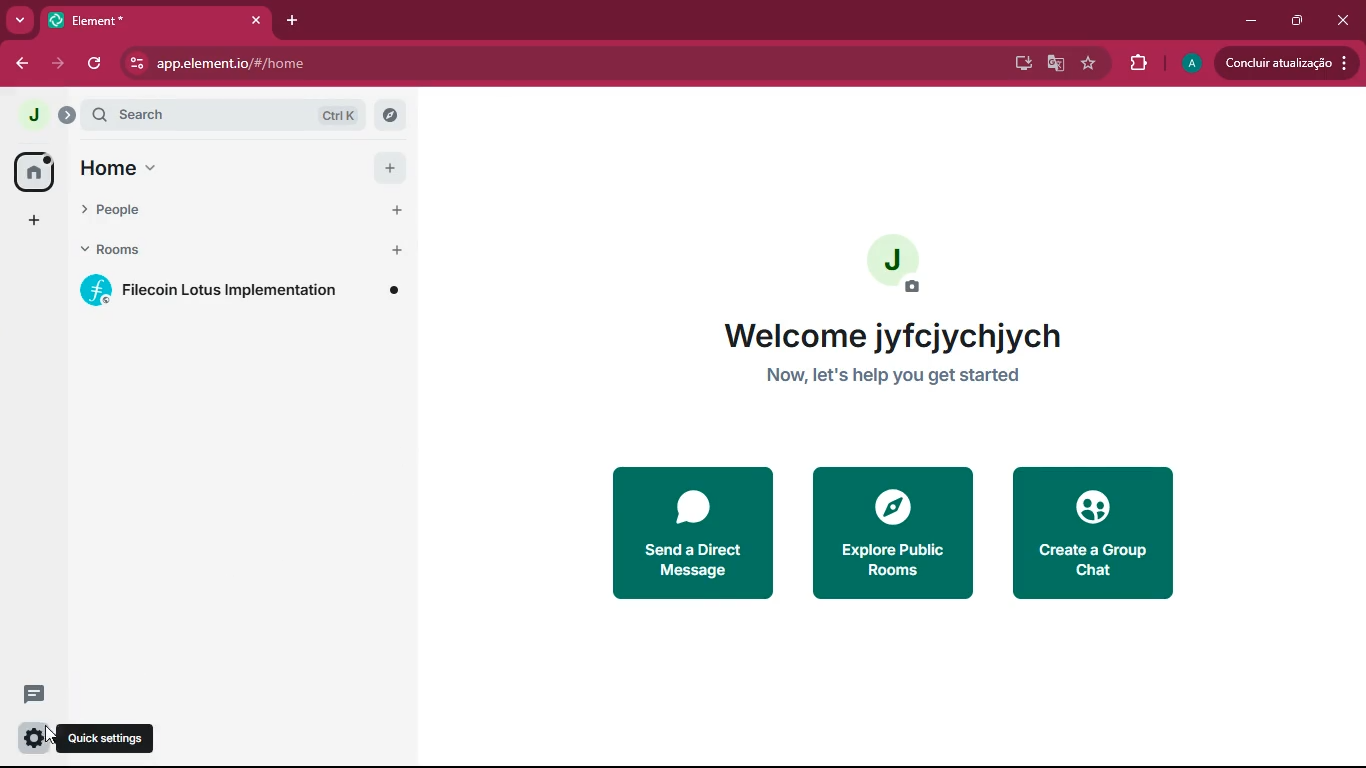 The image size is (1366, 768). What do you see at coordinates (894, 534) in the screenshot?
I see `explore public rooms` at bounding box center [894, 534].